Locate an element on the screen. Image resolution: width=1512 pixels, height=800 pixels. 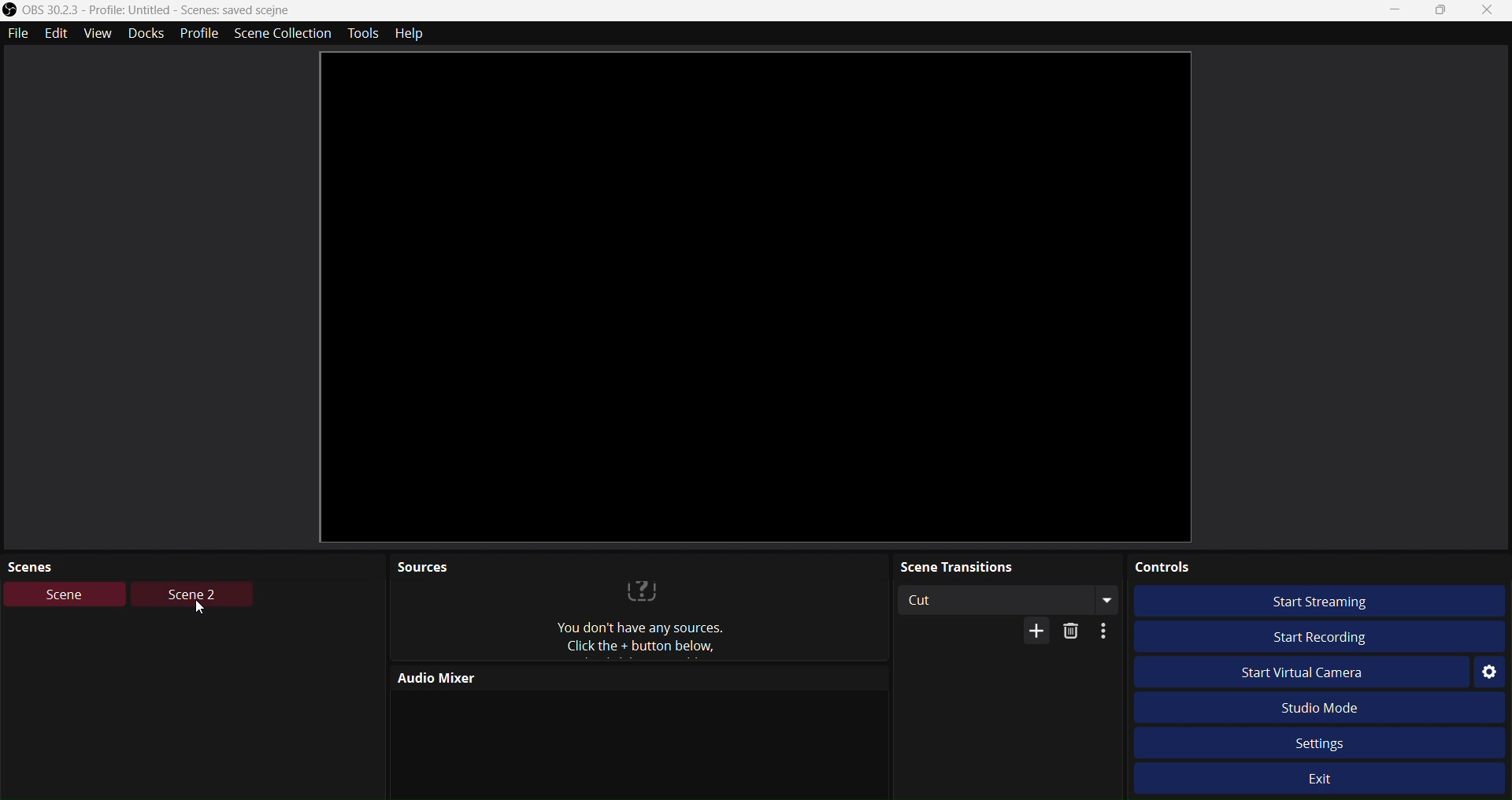
Profile is located at coordinates (199, 35).